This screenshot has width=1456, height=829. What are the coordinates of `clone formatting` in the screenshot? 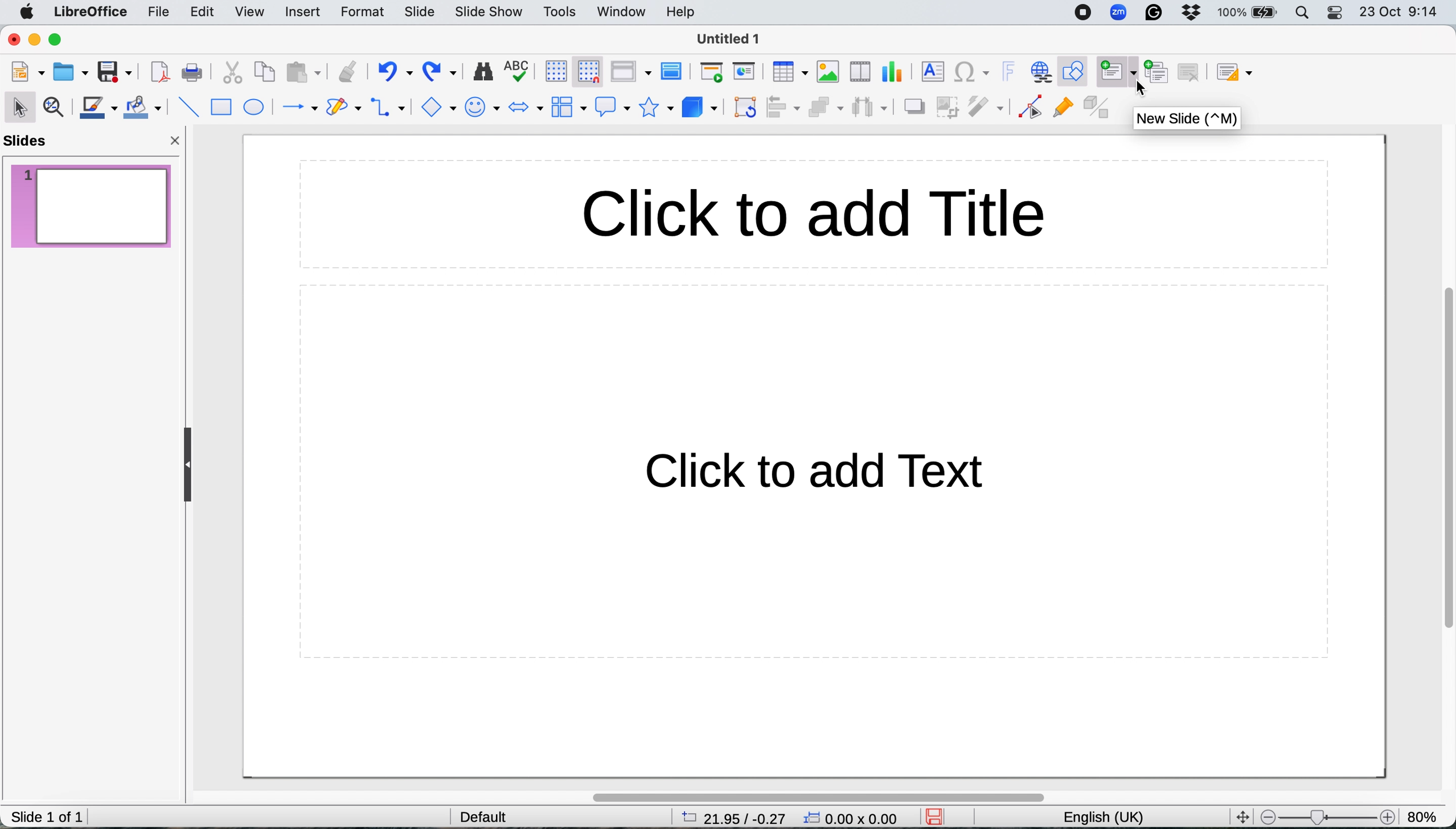 It's located at (347, 71).